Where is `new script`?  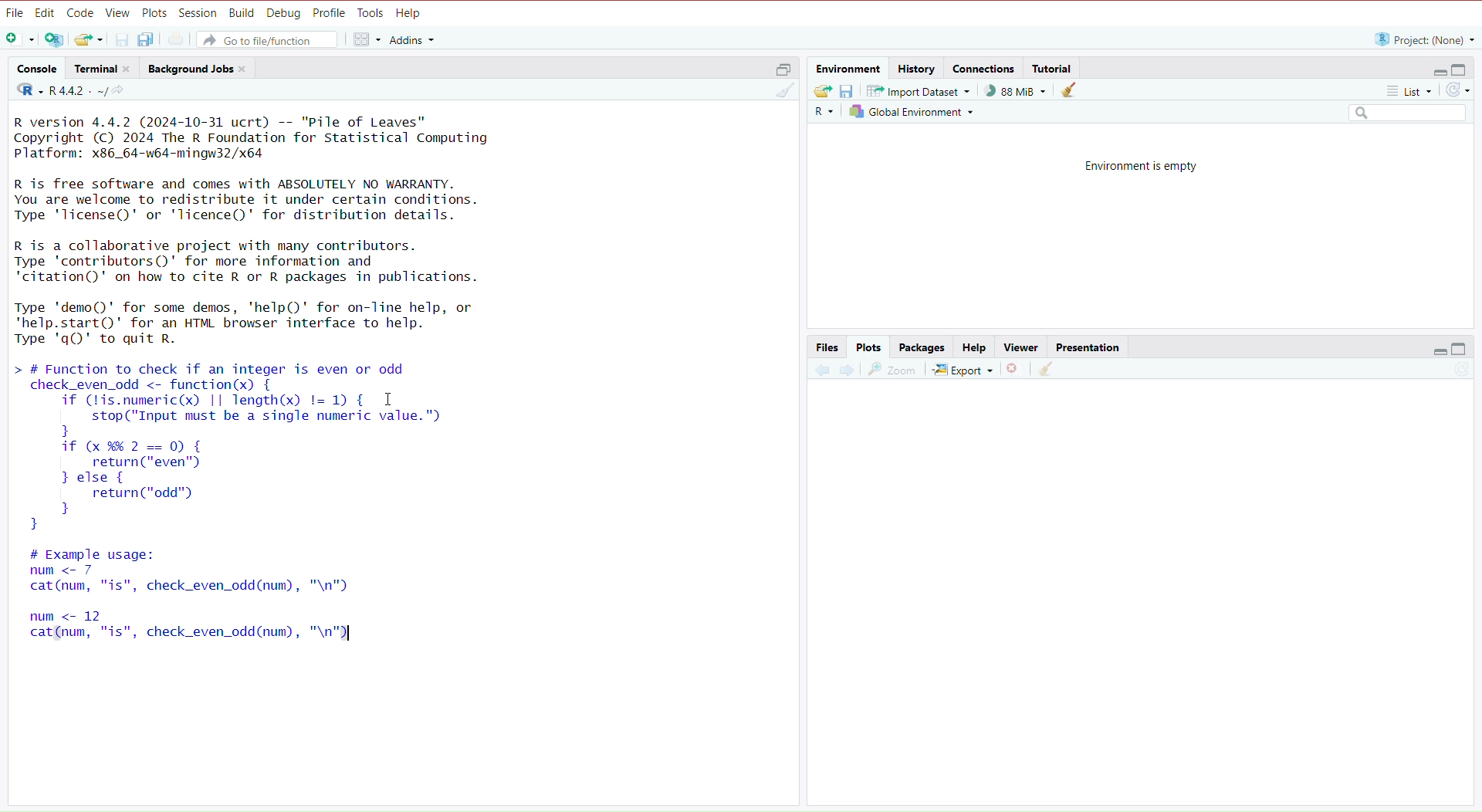 new script is located at coordinates (18, 40).